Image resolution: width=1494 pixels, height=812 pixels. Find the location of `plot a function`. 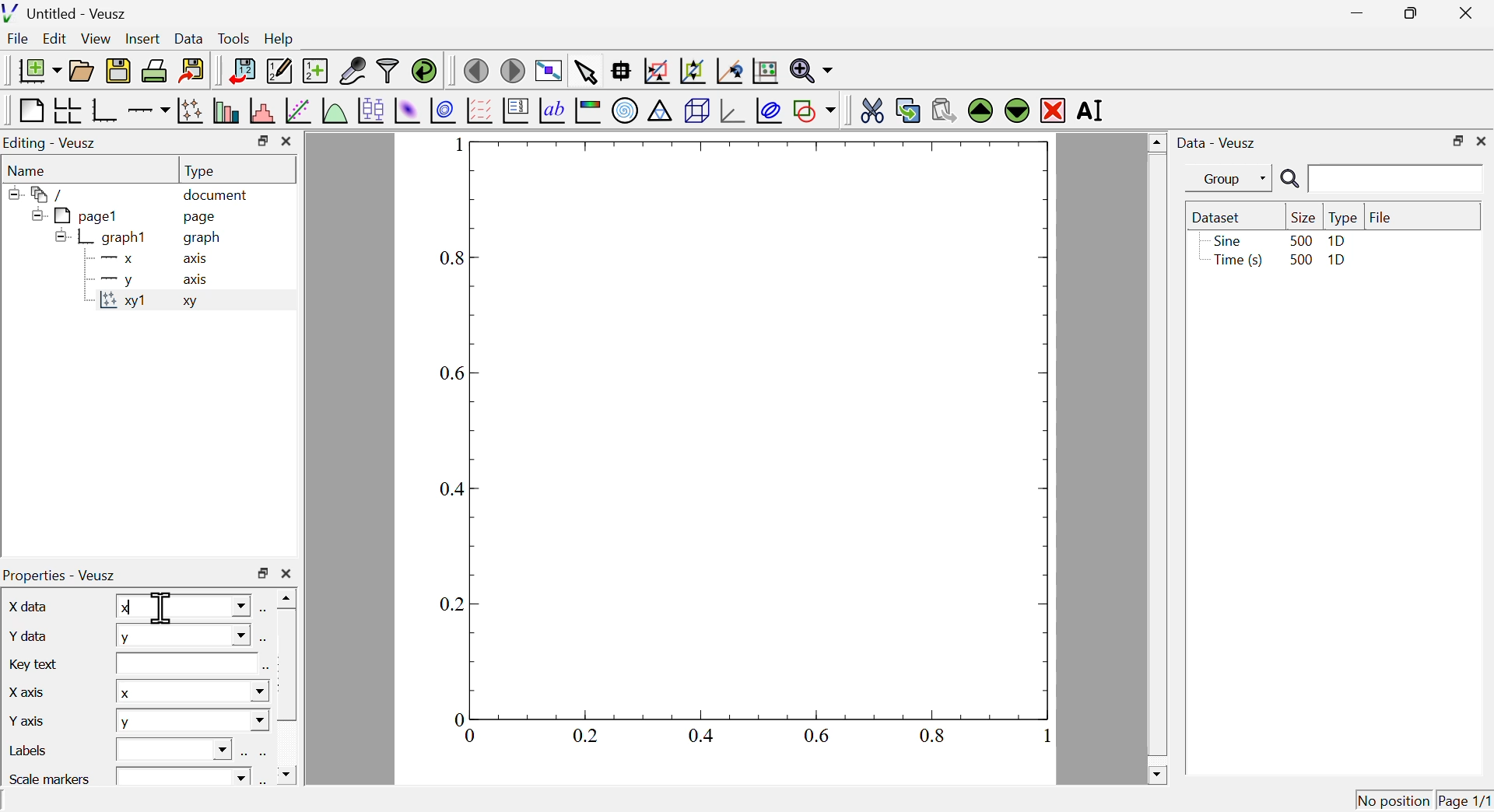

plot a function is located at coordinates (334, 110).